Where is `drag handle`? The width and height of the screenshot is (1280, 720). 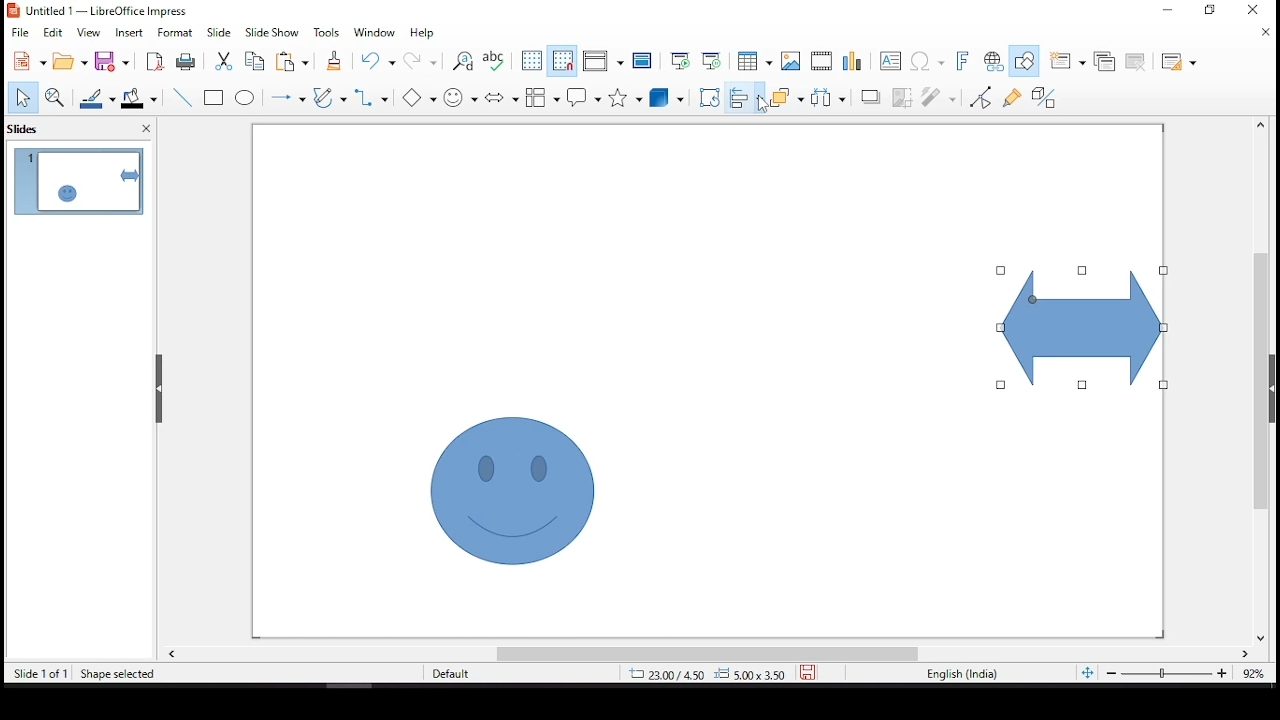 drag handle is located at coordinates (161, 389).